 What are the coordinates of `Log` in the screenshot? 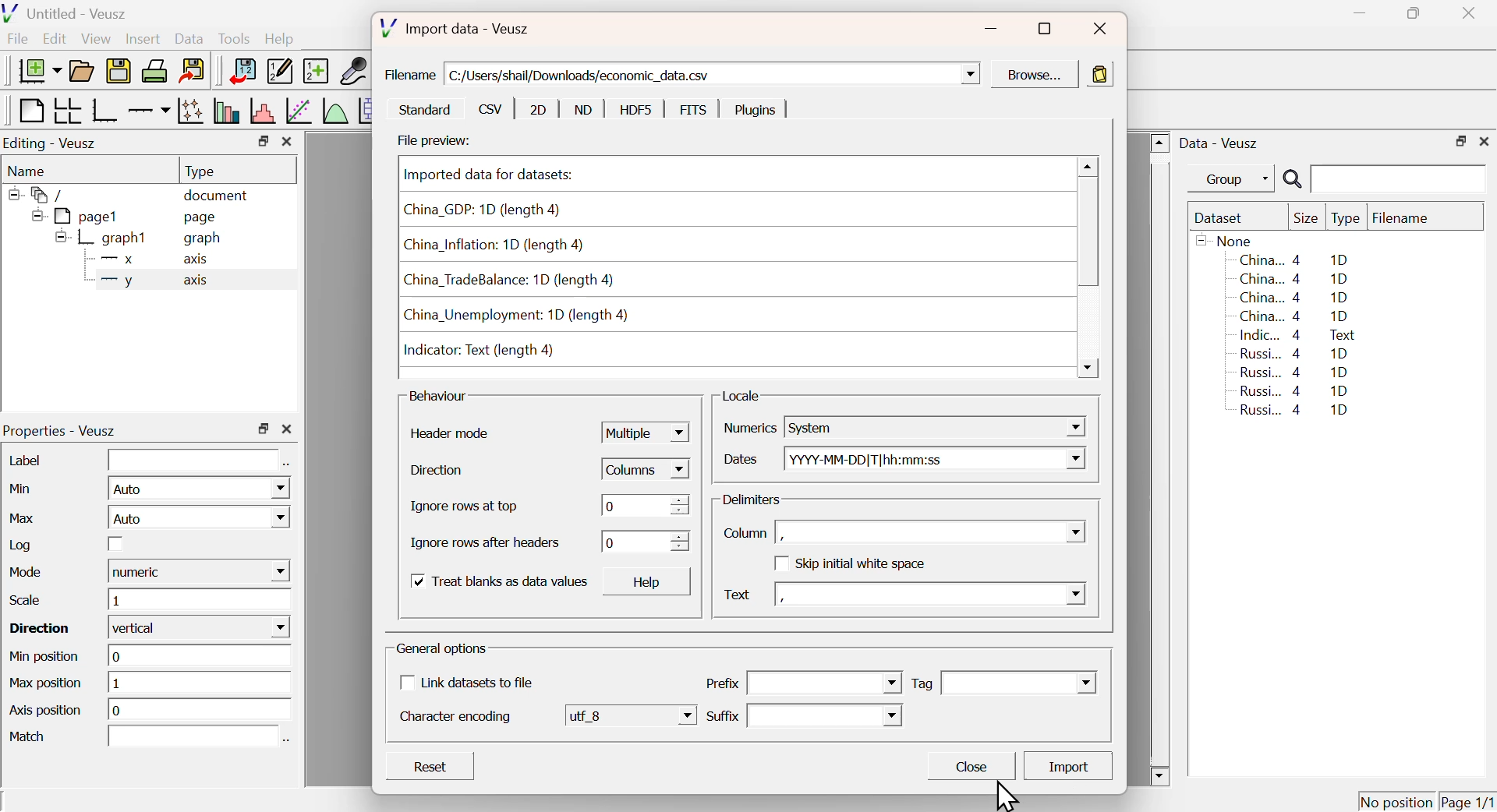 It's located at (23, 545).